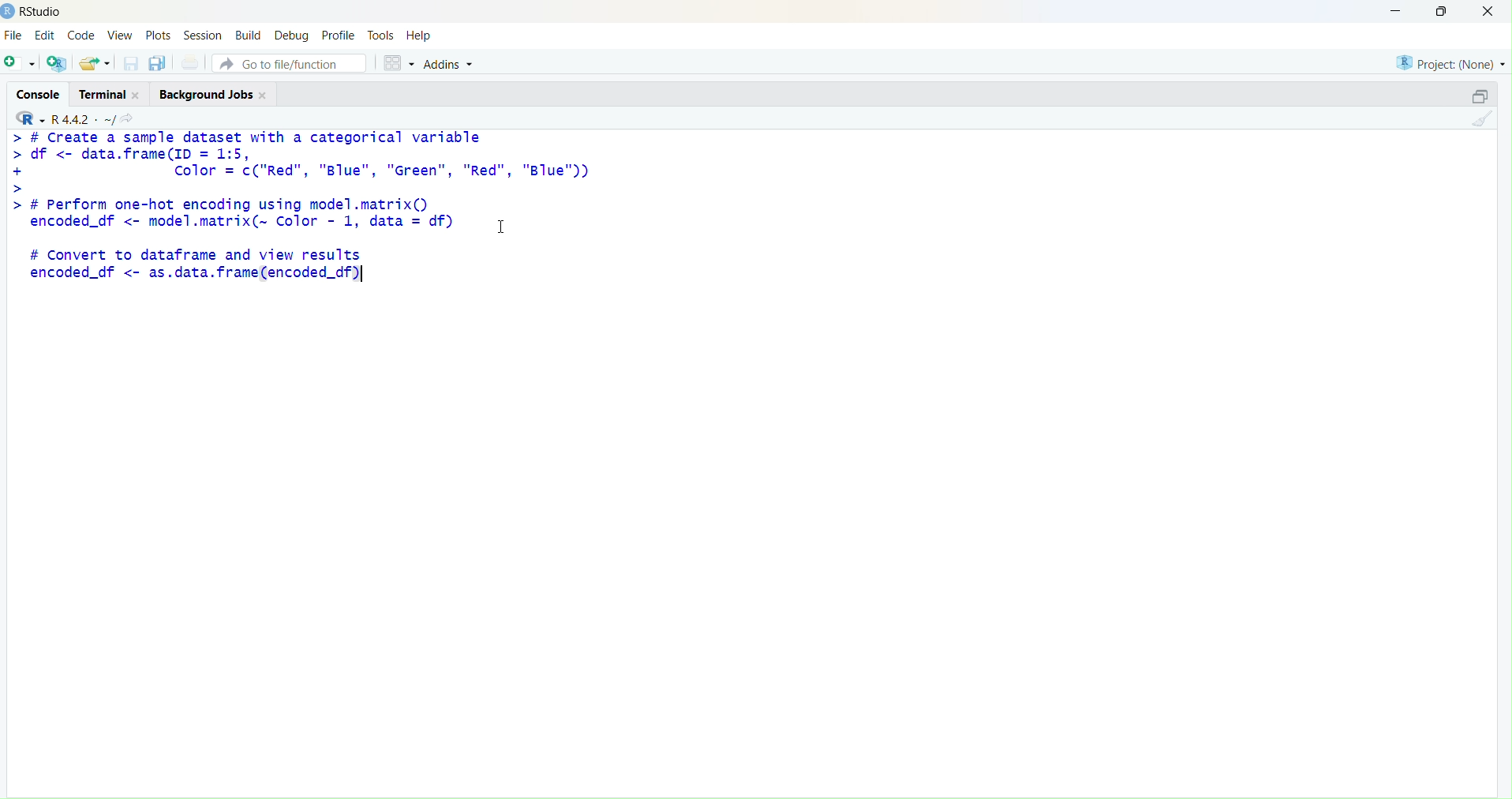  I want to click on cursor, so click(502, 227).